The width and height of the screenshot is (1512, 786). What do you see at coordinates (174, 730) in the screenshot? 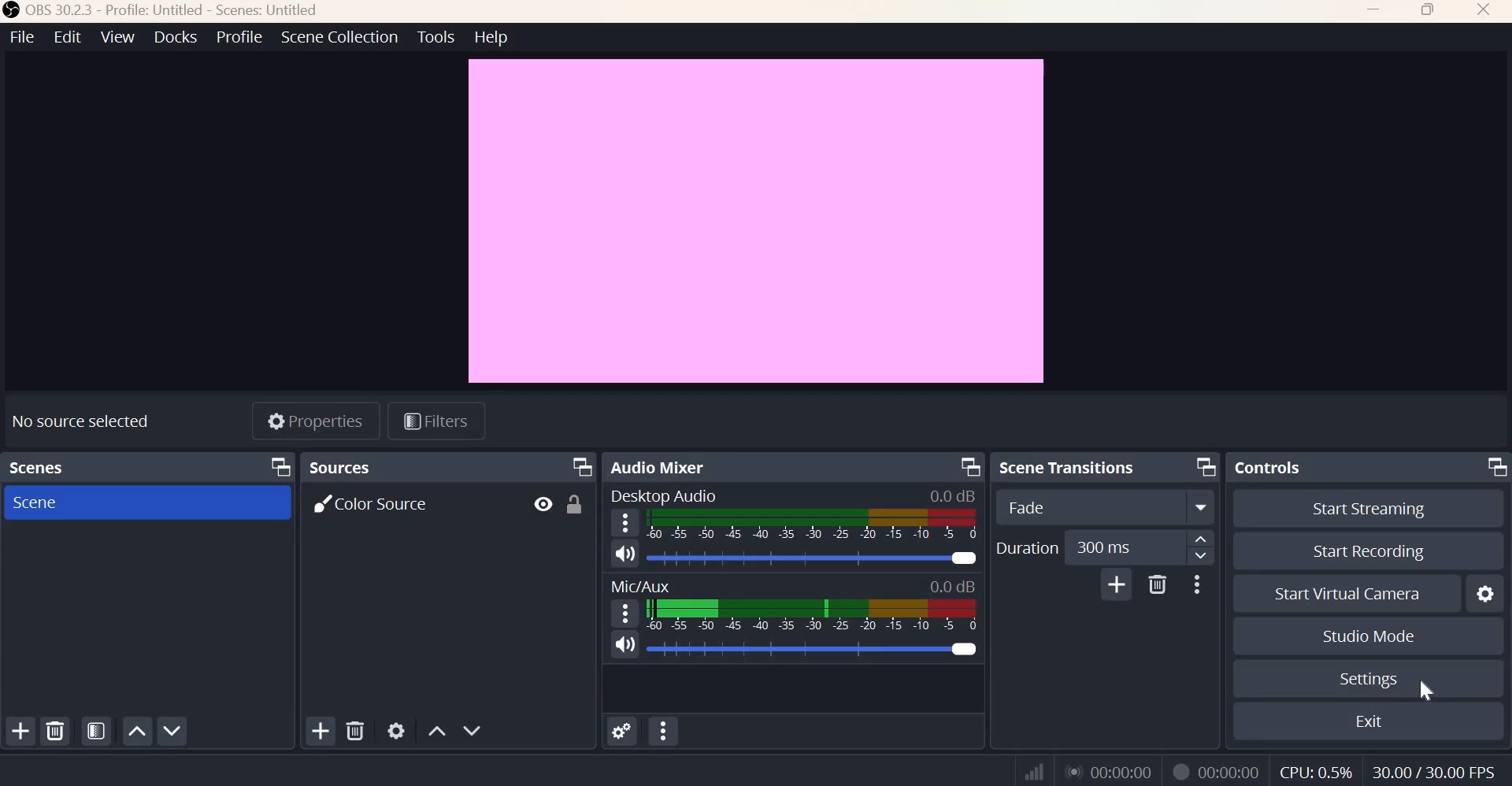
I see `Move scene down` at bounding box center [174, 730].